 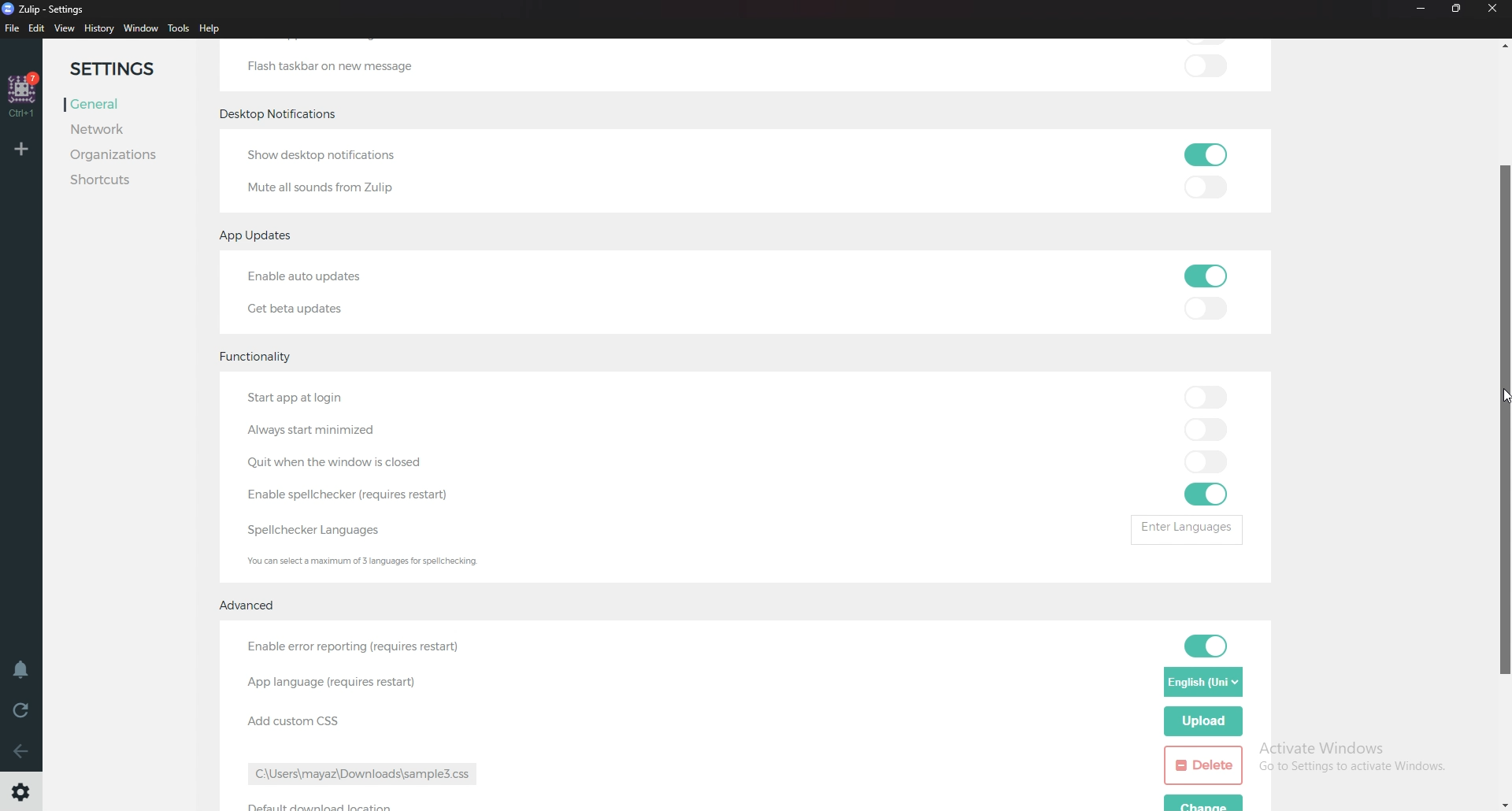 What do you see at coordinates (117, 155) in the screenshot?
I see `Organizations` at bounding box center [117, 155].